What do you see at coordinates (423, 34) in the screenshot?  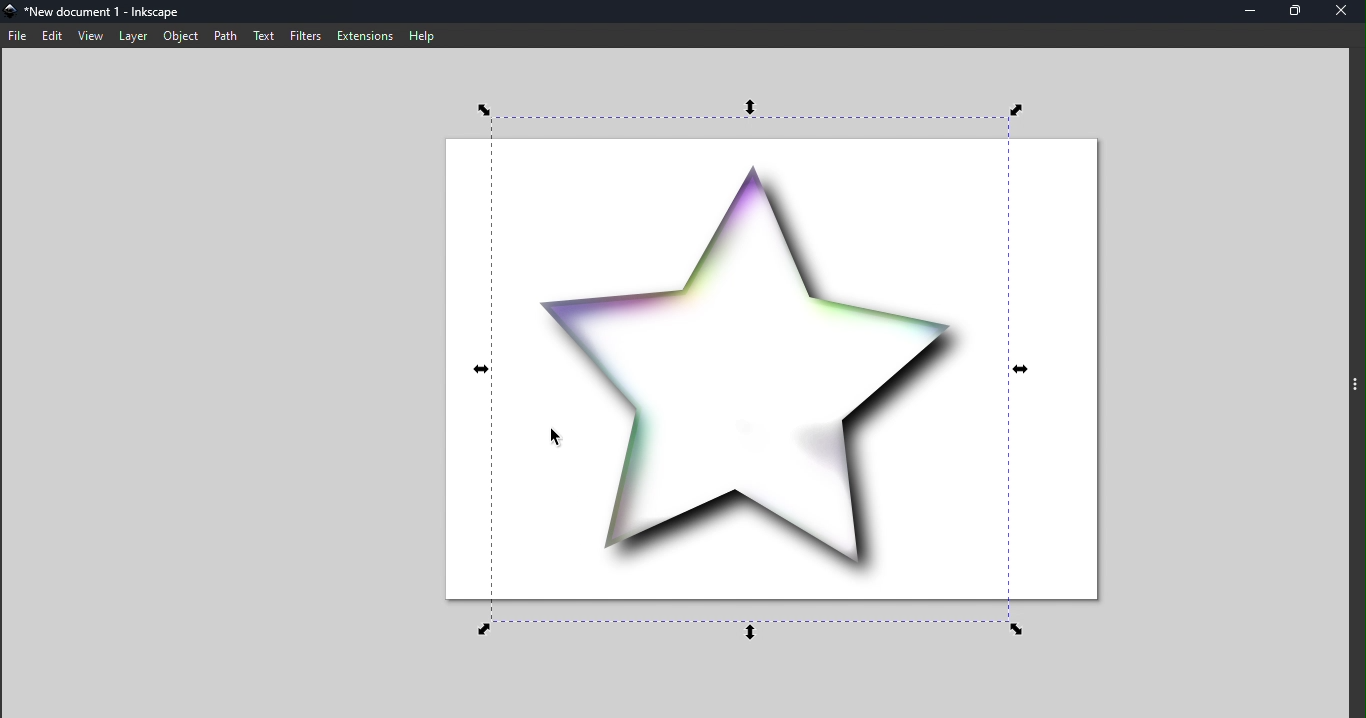 I see `Help` at bounding box center [423, 34].